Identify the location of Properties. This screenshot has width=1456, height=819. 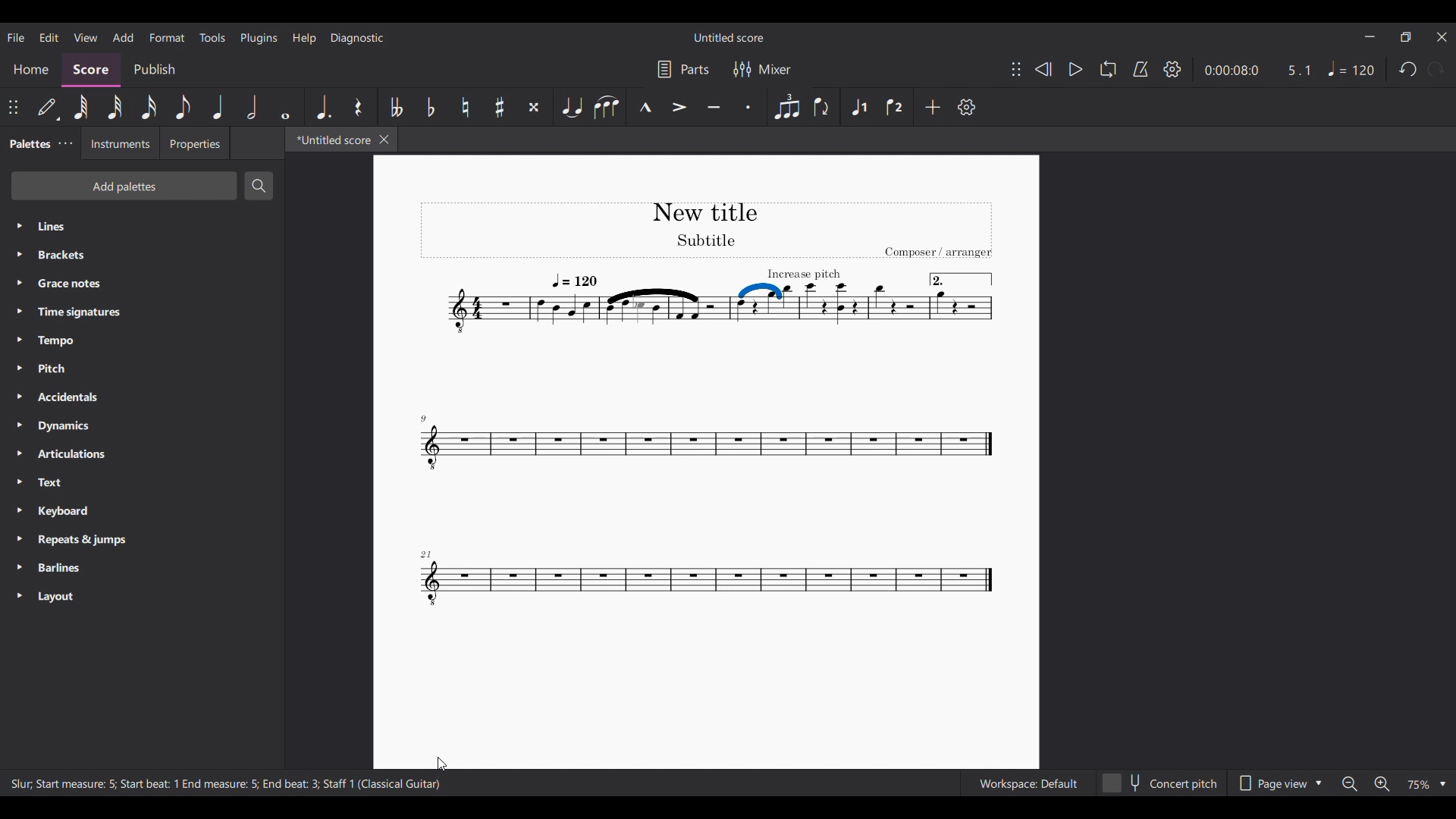
(196, 143).